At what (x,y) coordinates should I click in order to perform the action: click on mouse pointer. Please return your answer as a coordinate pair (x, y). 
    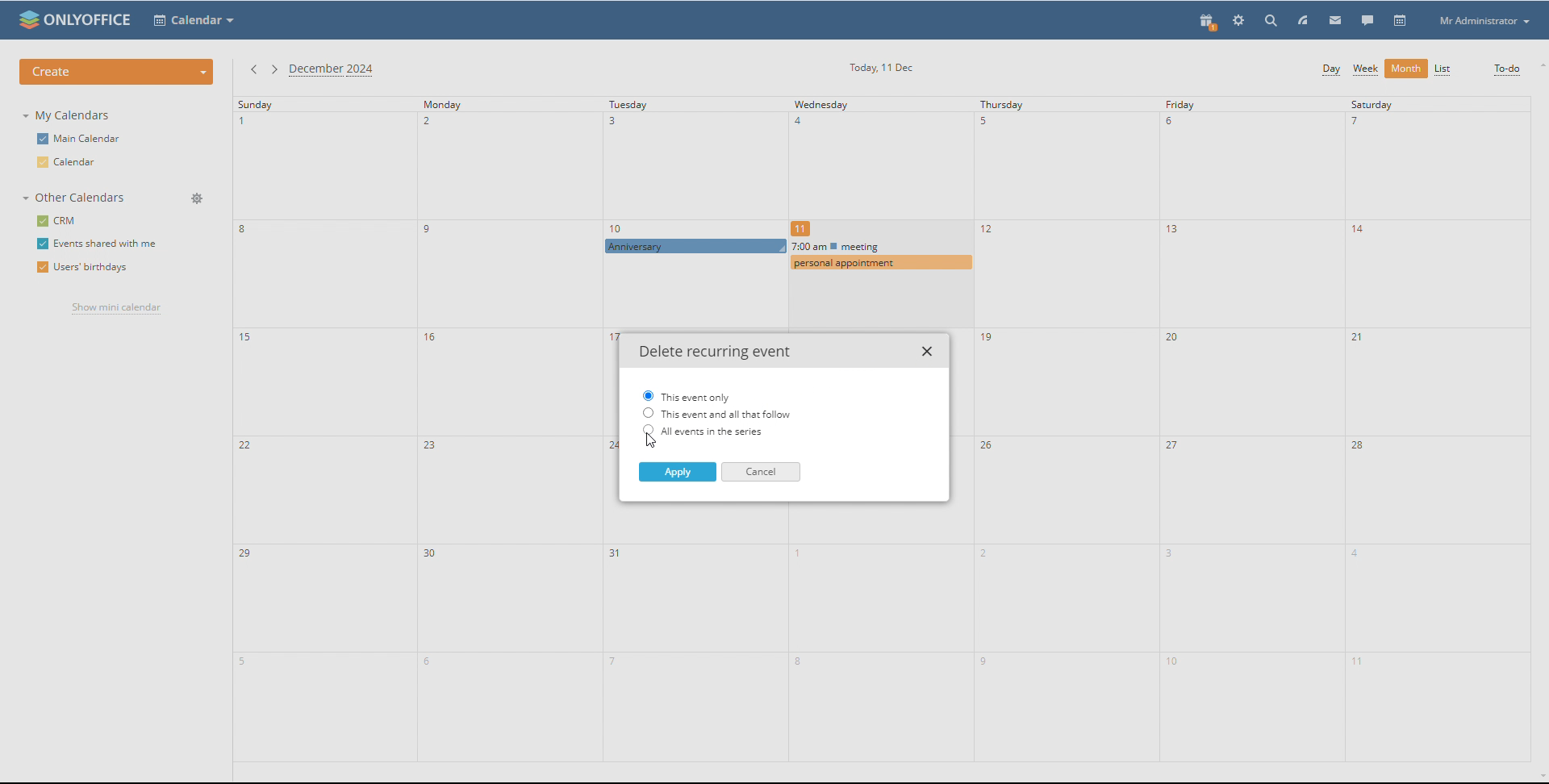
    Looking at the image, I should click on (653, 441).